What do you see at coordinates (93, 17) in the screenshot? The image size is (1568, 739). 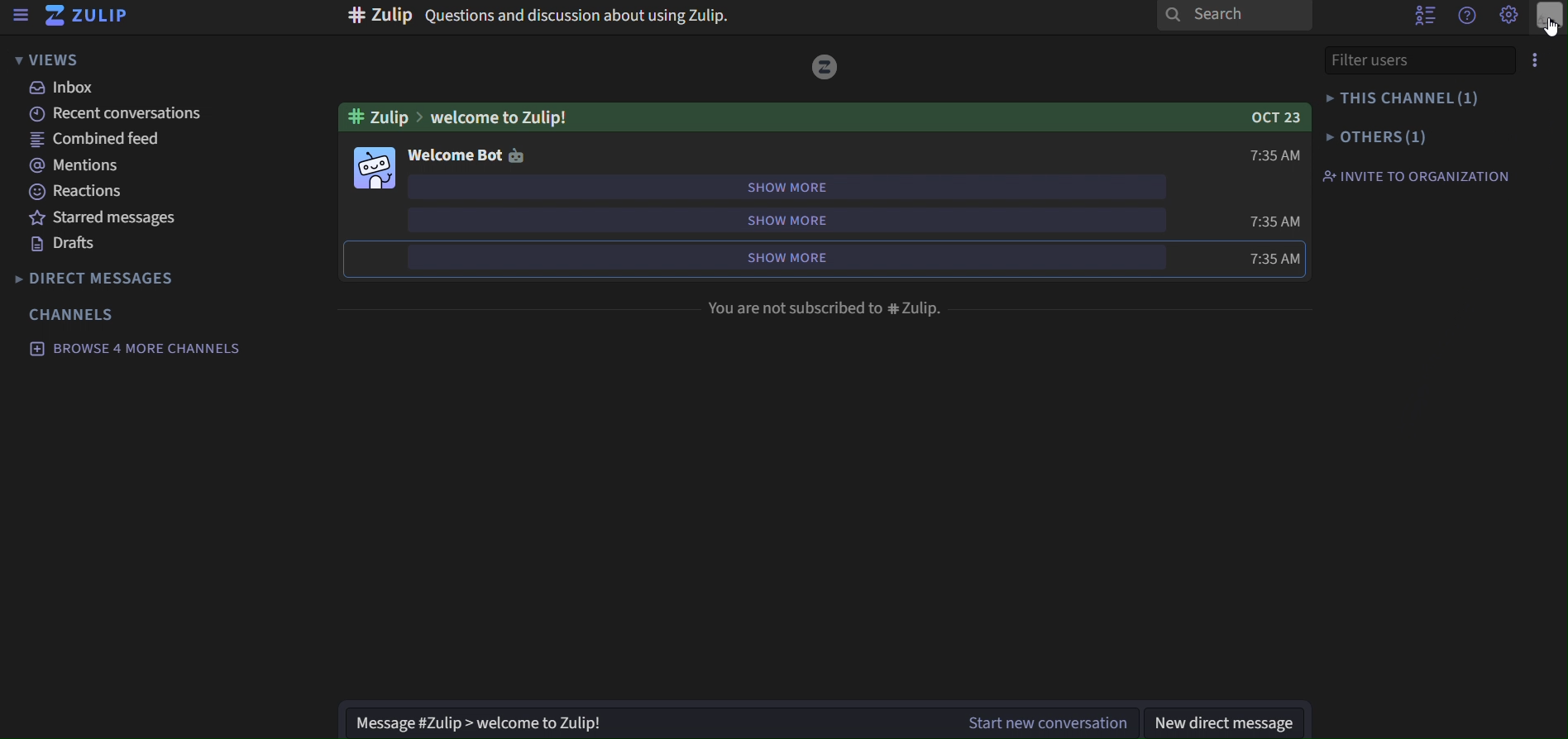 I see `zulip` at bounding box center [93, 17].